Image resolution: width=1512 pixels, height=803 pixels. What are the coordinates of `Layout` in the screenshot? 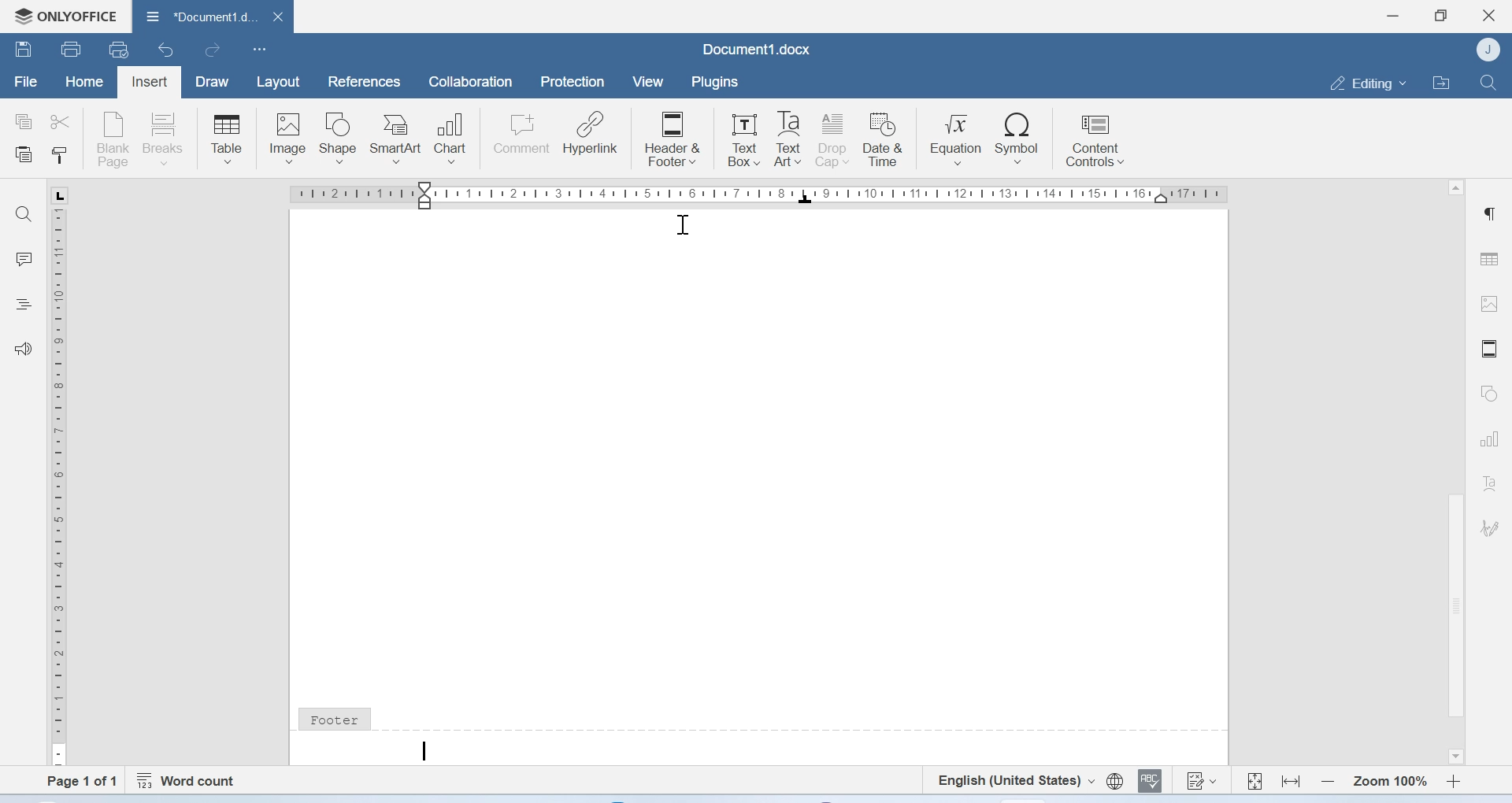 It's located at (279, 82).